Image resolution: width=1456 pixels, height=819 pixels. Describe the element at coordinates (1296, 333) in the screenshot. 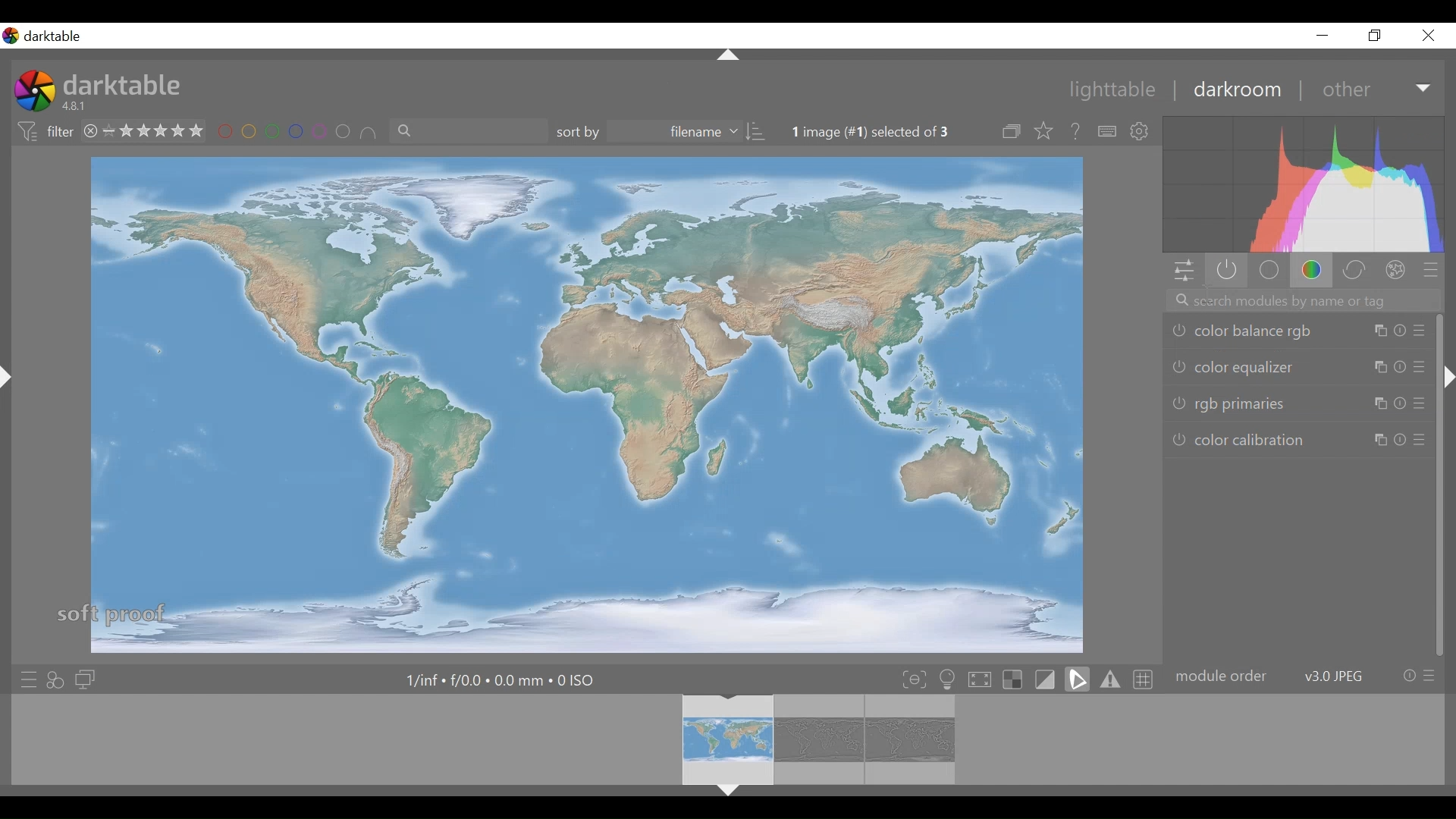

I see `color balance rgb` at that location.